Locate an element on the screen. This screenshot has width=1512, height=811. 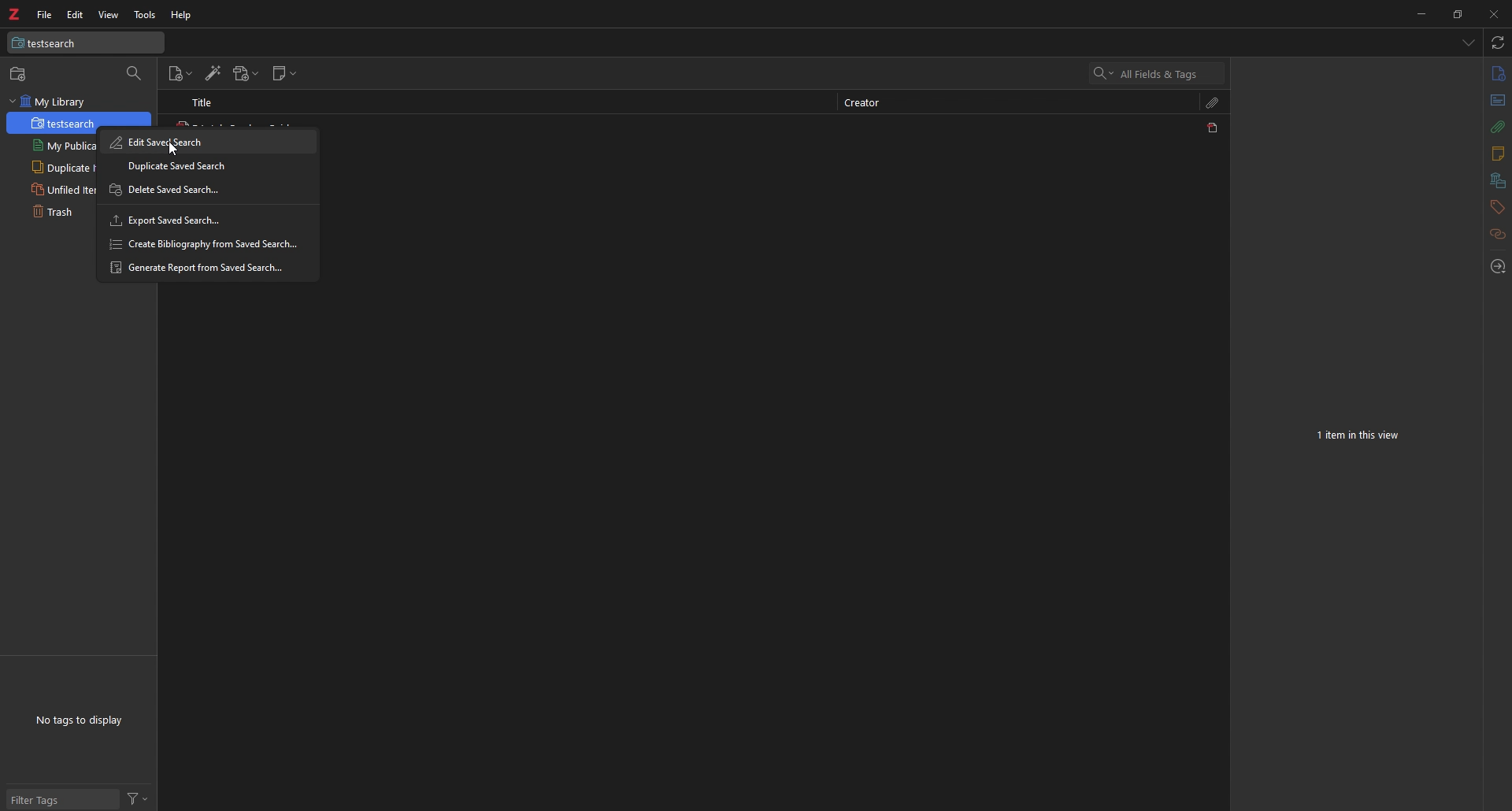
zotero is located at coordinates (13, 14).